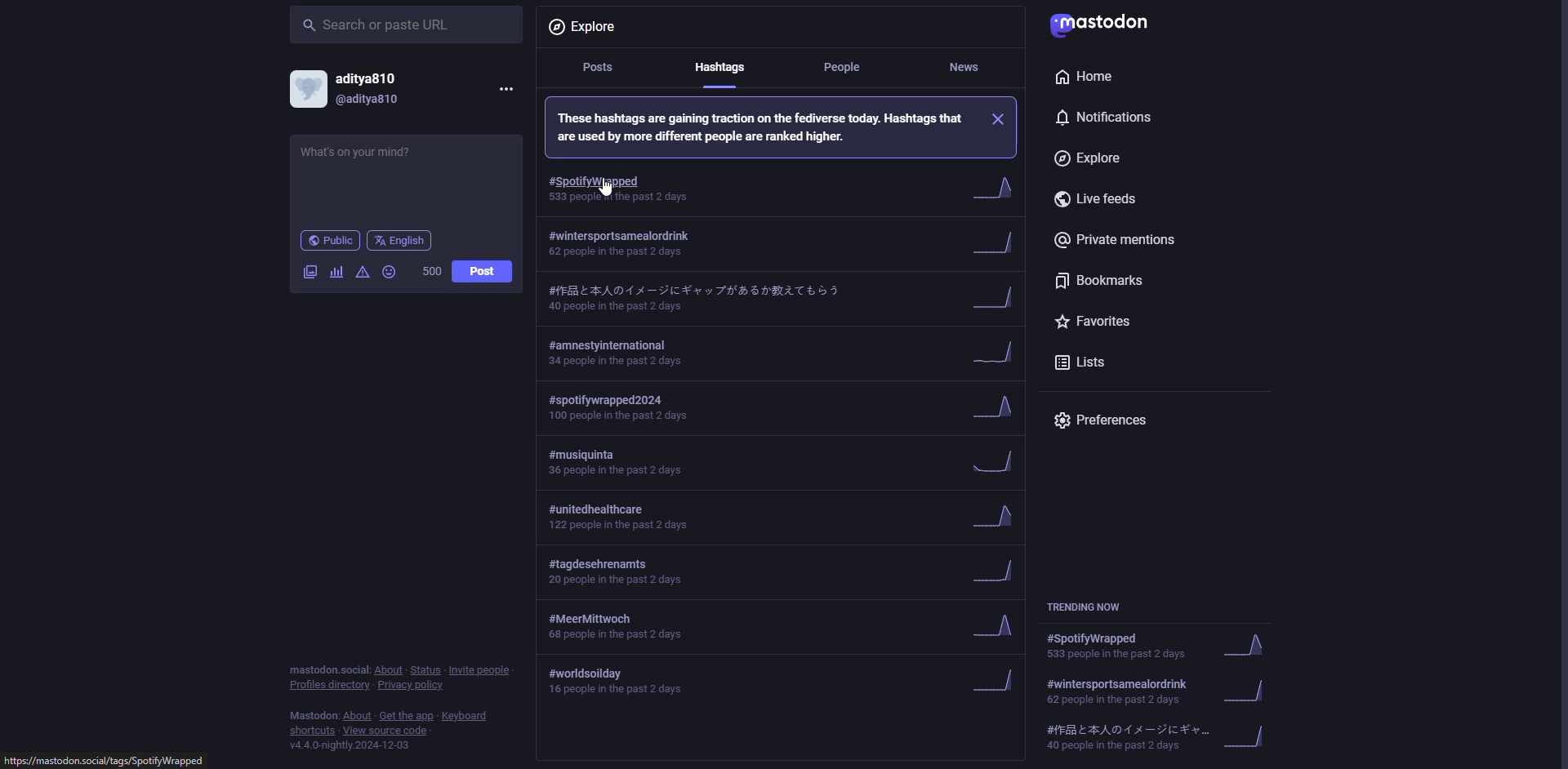 This screenshot has width=1568, height=769. What do you see at coordinates (389, 272) in the screenshot?
I see `emoji` at bounding box center [389, 272].